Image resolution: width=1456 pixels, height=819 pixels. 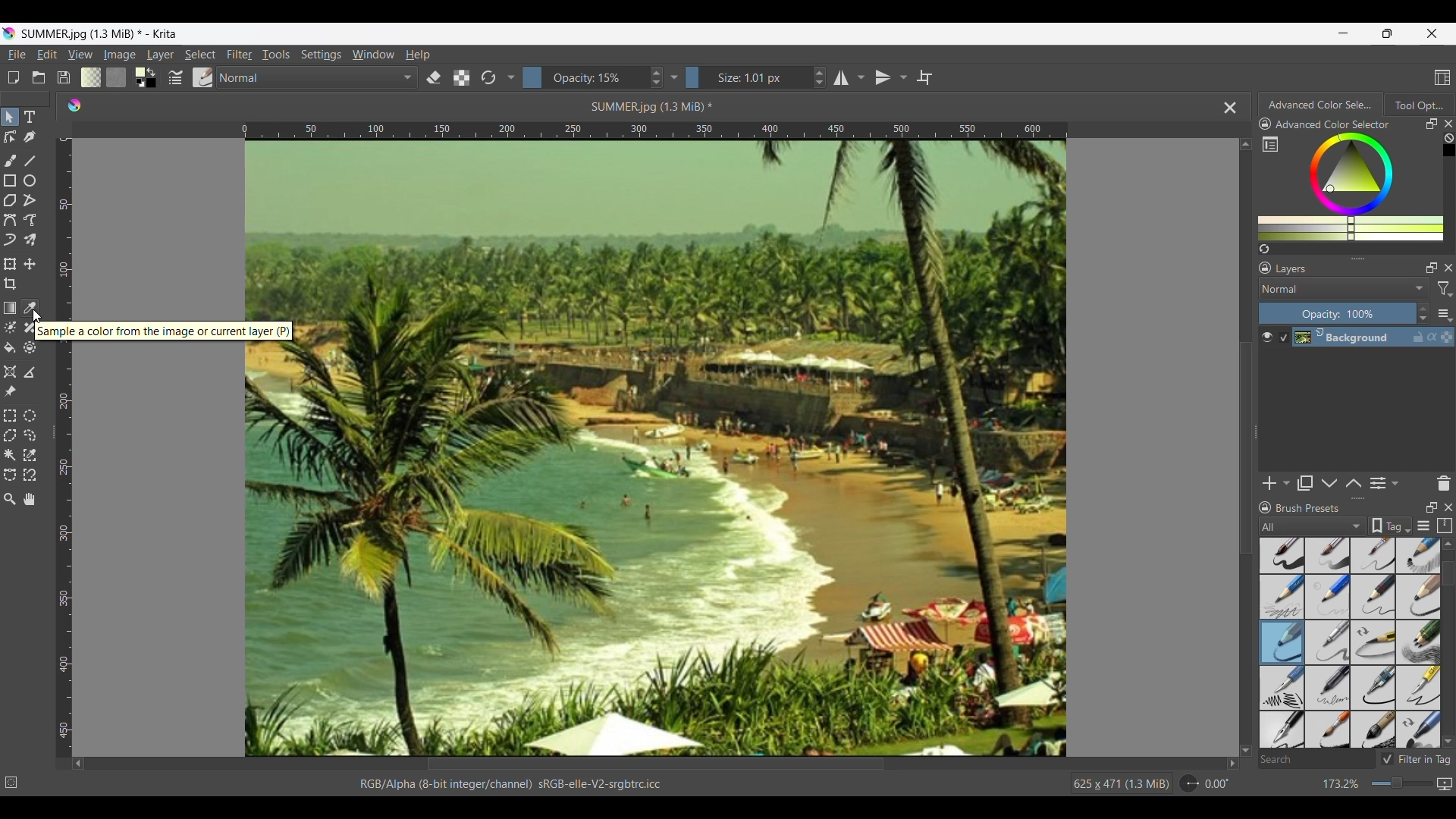 What do you see at coordinates (1445, 784) in the screenshot?
I see `Current mapping` at bounding box center [1445, 784].